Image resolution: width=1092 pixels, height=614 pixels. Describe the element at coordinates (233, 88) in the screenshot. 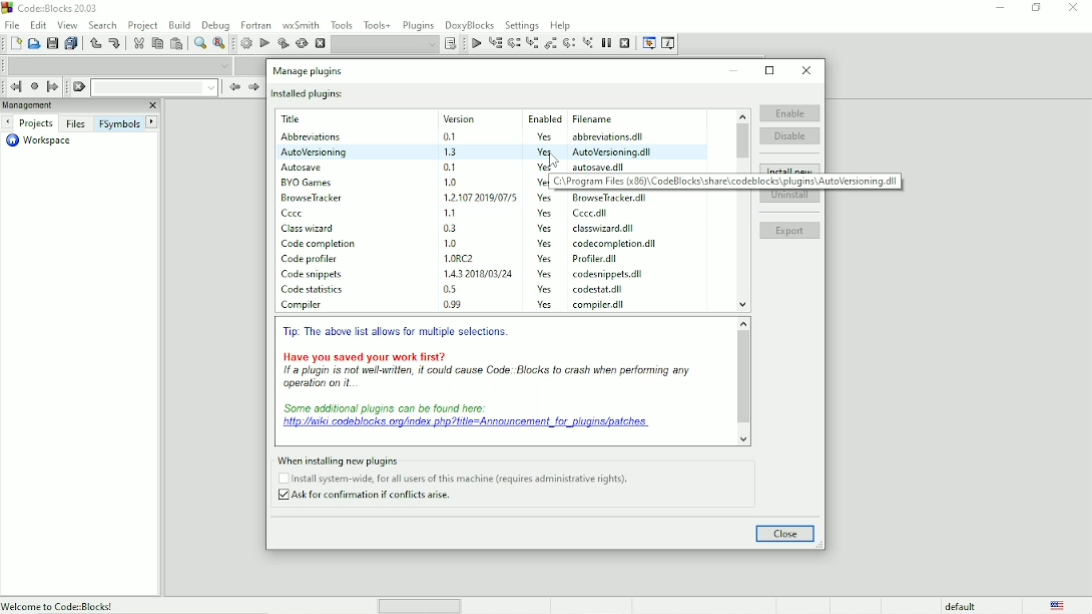

I see `Prev` at that location.